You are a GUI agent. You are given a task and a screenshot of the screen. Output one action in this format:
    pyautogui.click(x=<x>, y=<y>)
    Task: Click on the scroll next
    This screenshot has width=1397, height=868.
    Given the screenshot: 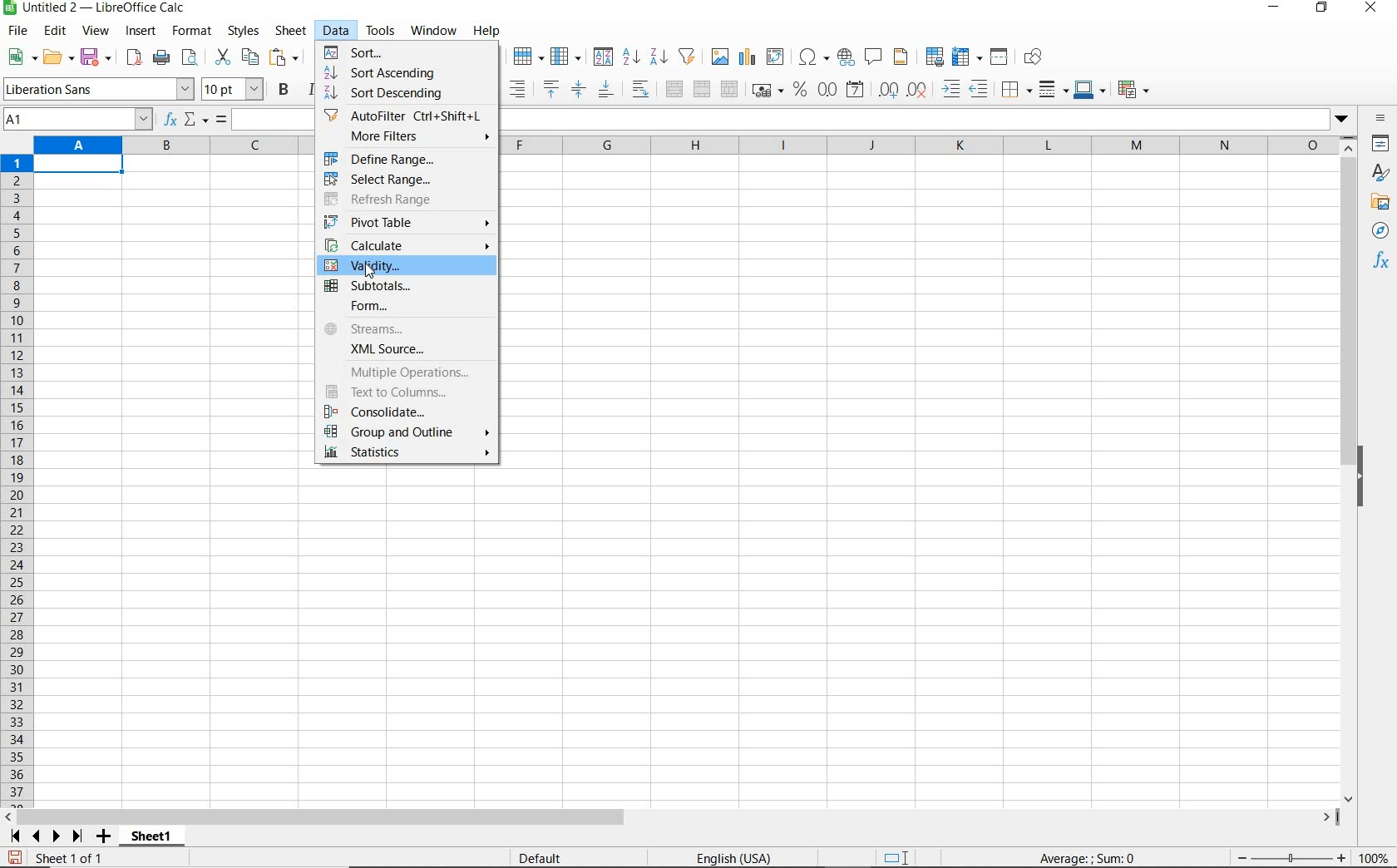 What is the action you would take?
    pyautogui.click(x=42, y=836)
    